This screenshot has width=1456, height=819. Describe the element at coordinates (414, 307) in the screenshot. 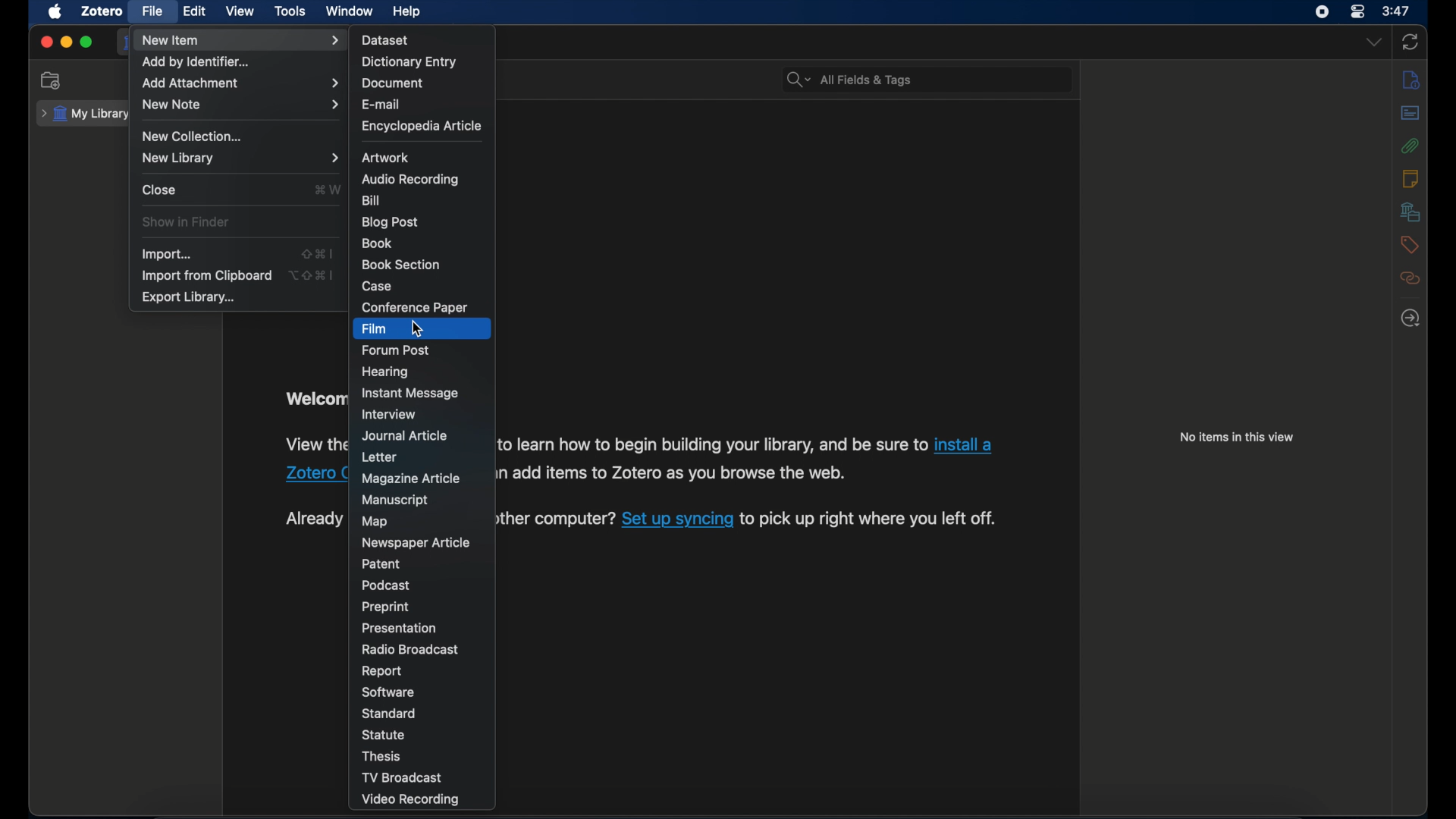

I see `conference paper` at that location.